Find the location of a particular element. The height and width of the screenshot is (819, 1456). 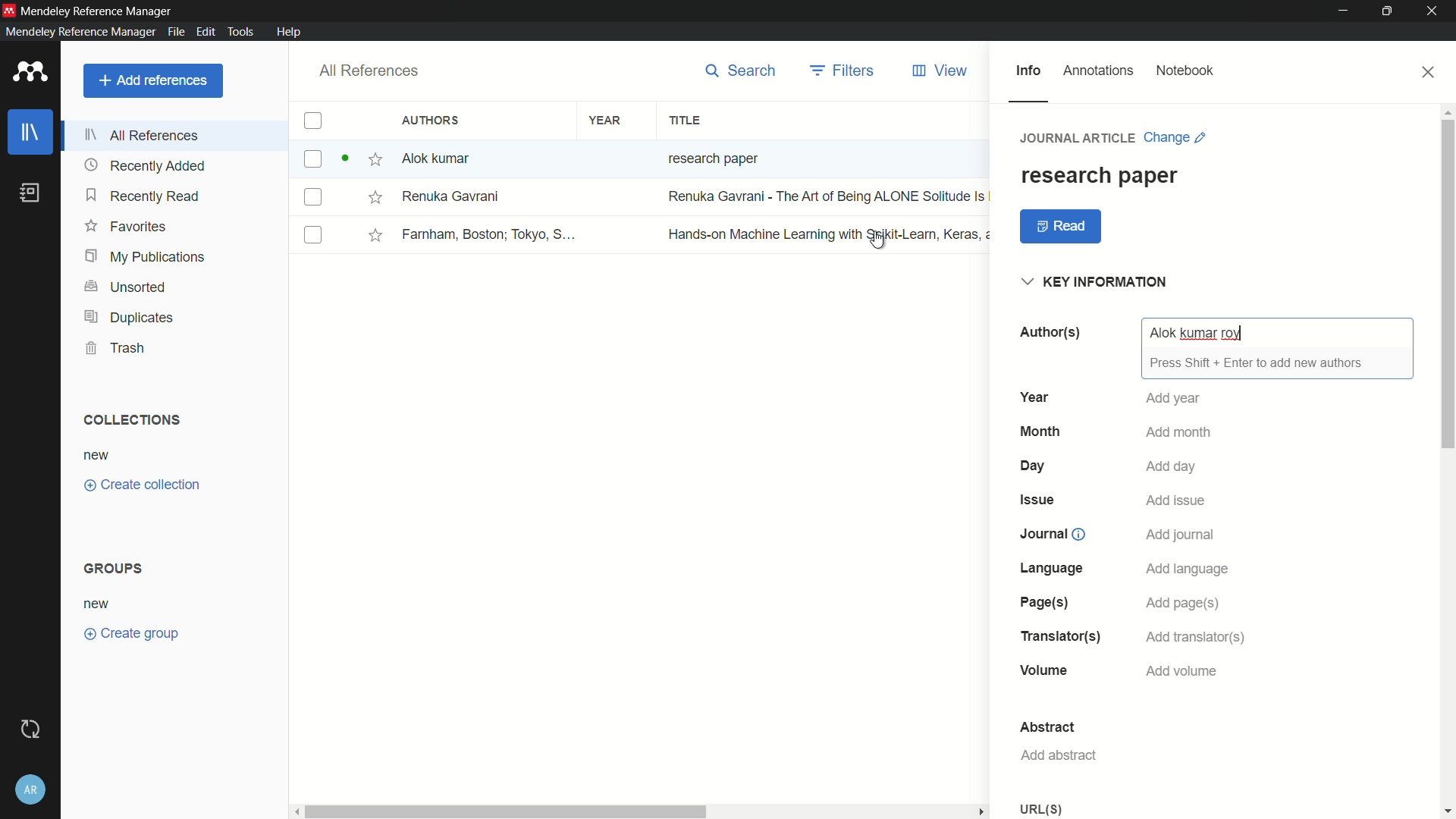

maximize is located at coordinates (1390, 11).